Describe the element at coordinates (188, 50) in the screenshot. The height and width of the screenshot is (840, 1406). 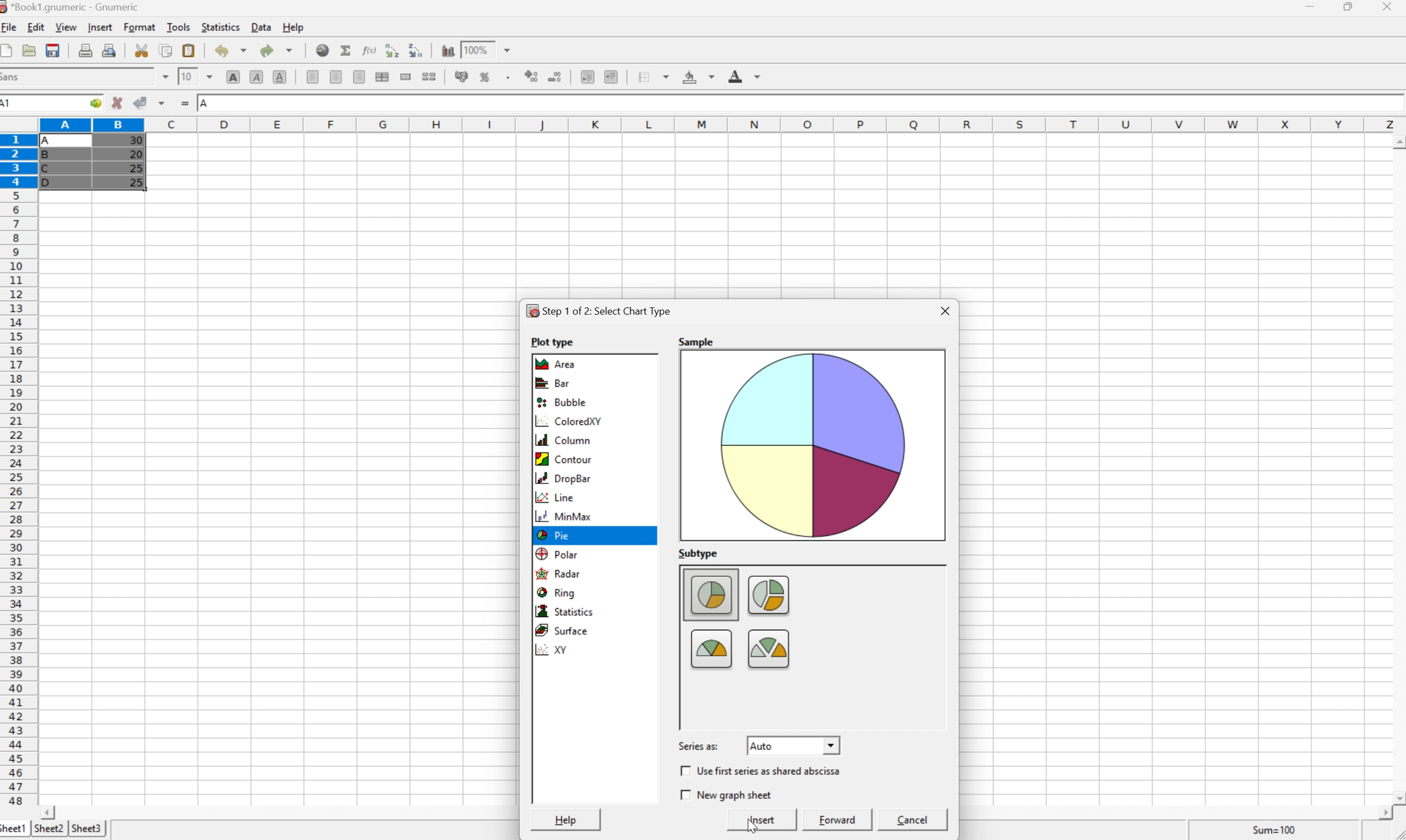
I see `Paste the clipboard` at that location.